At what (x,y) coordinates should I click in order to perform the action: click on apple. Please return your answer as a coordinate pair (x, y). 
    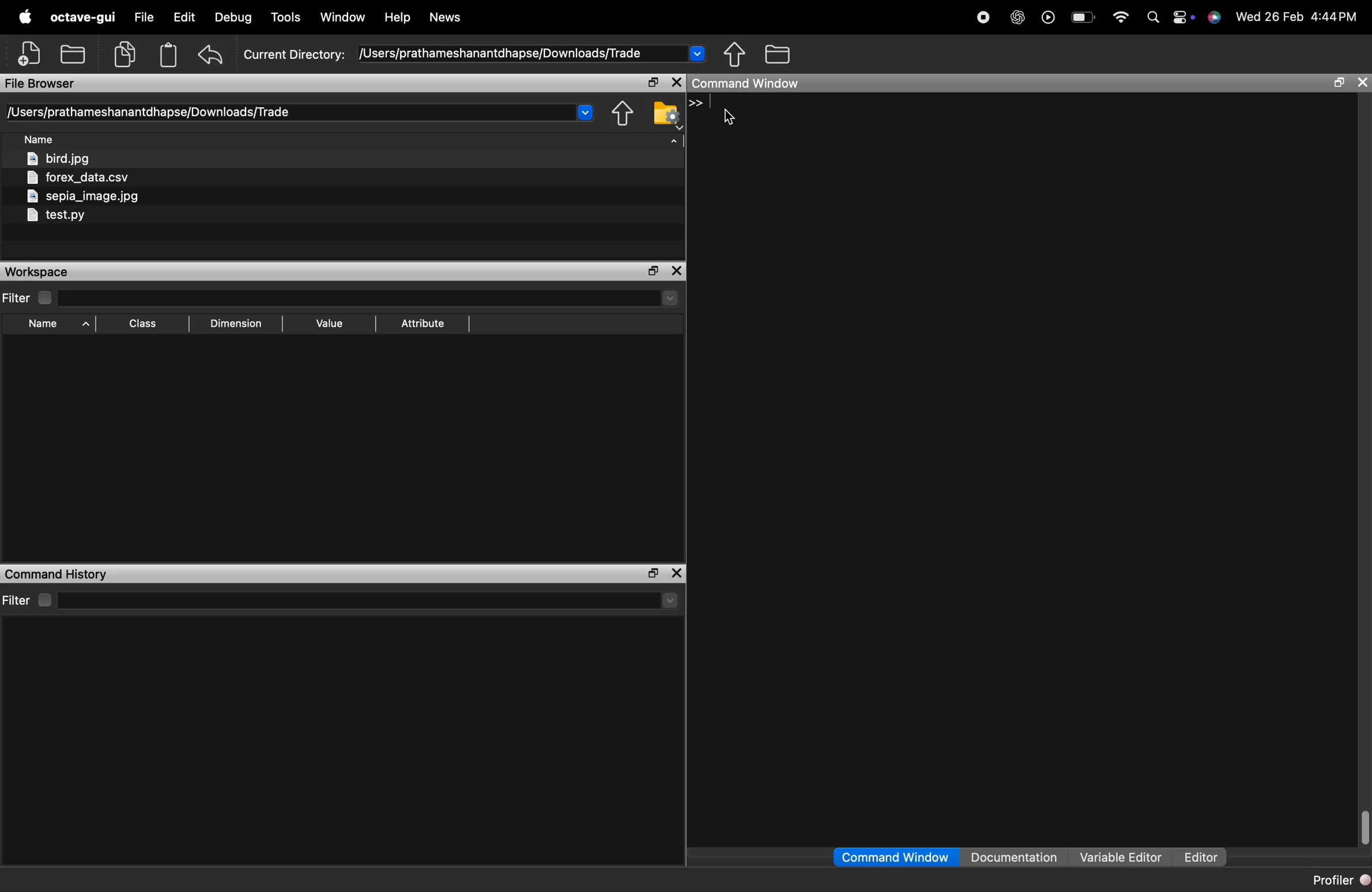
    Looking at the image, I should click on (26, 16).